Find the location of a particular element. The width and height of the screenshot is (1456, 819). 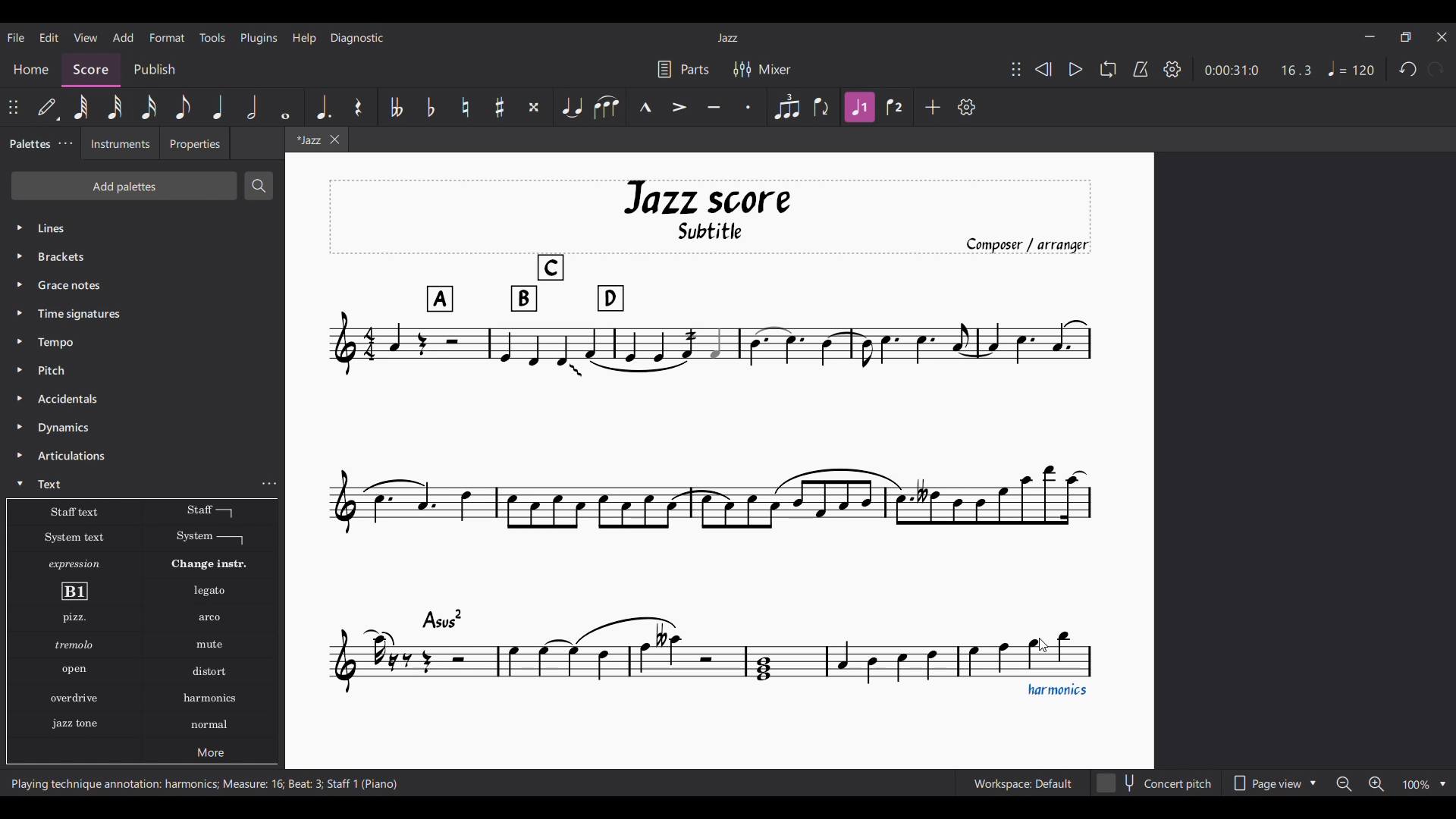

32nd note is located at coordinates (114, 107).